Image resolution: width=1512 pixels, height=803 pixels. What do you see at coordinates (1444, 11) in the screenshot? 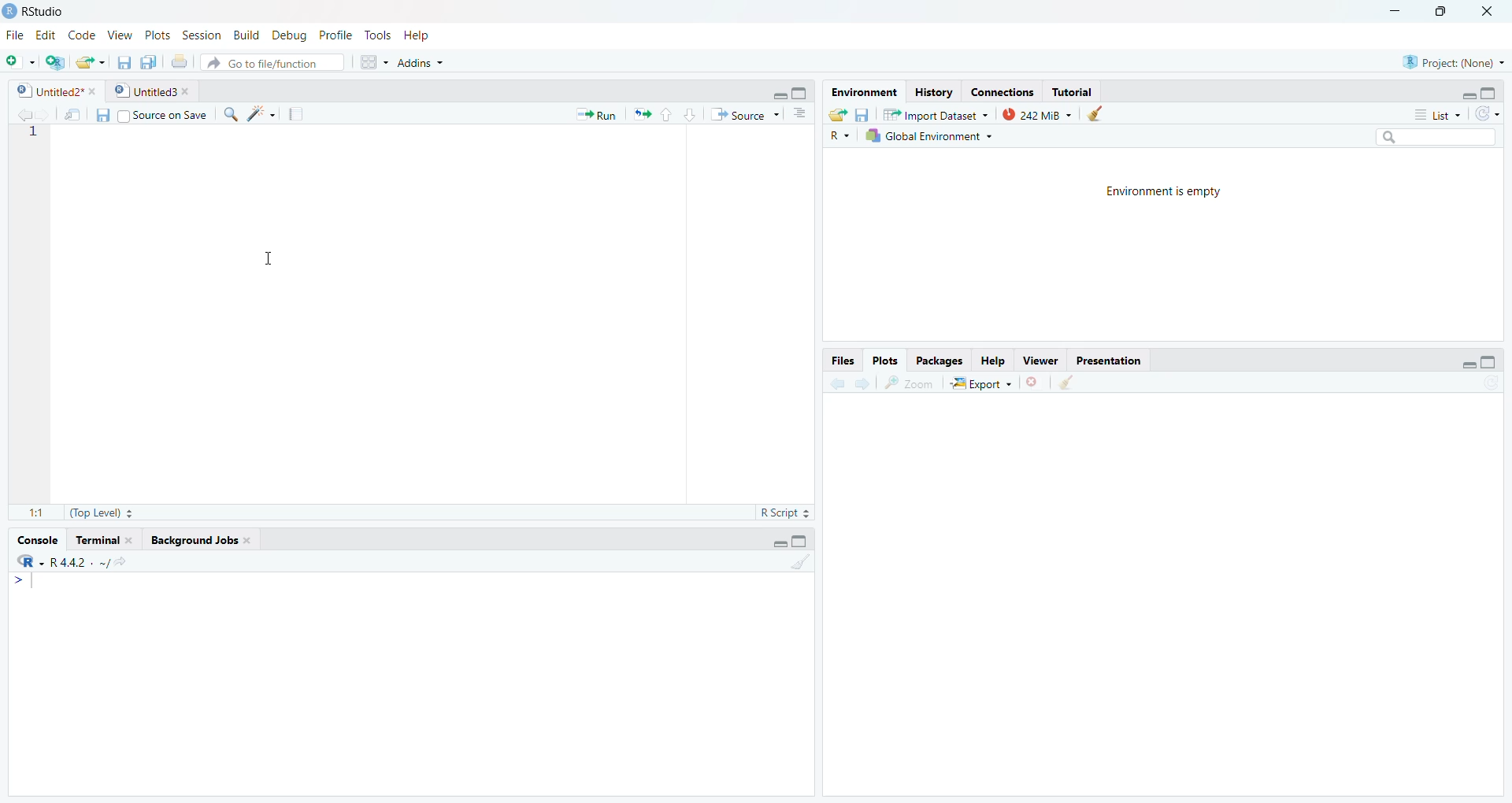
I see `Maximize` at bounding box center [1444, 11].